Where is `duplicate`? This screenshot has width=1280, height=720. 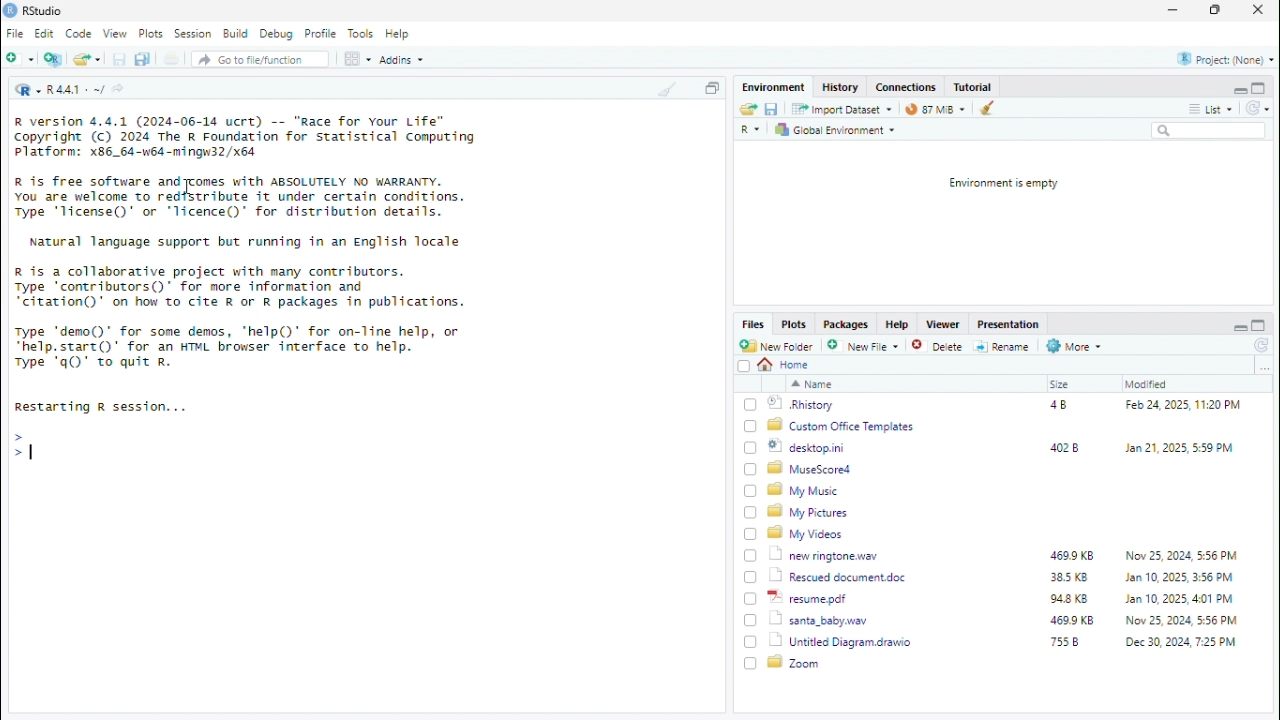 duplicate is located at coordinates (143, 59).